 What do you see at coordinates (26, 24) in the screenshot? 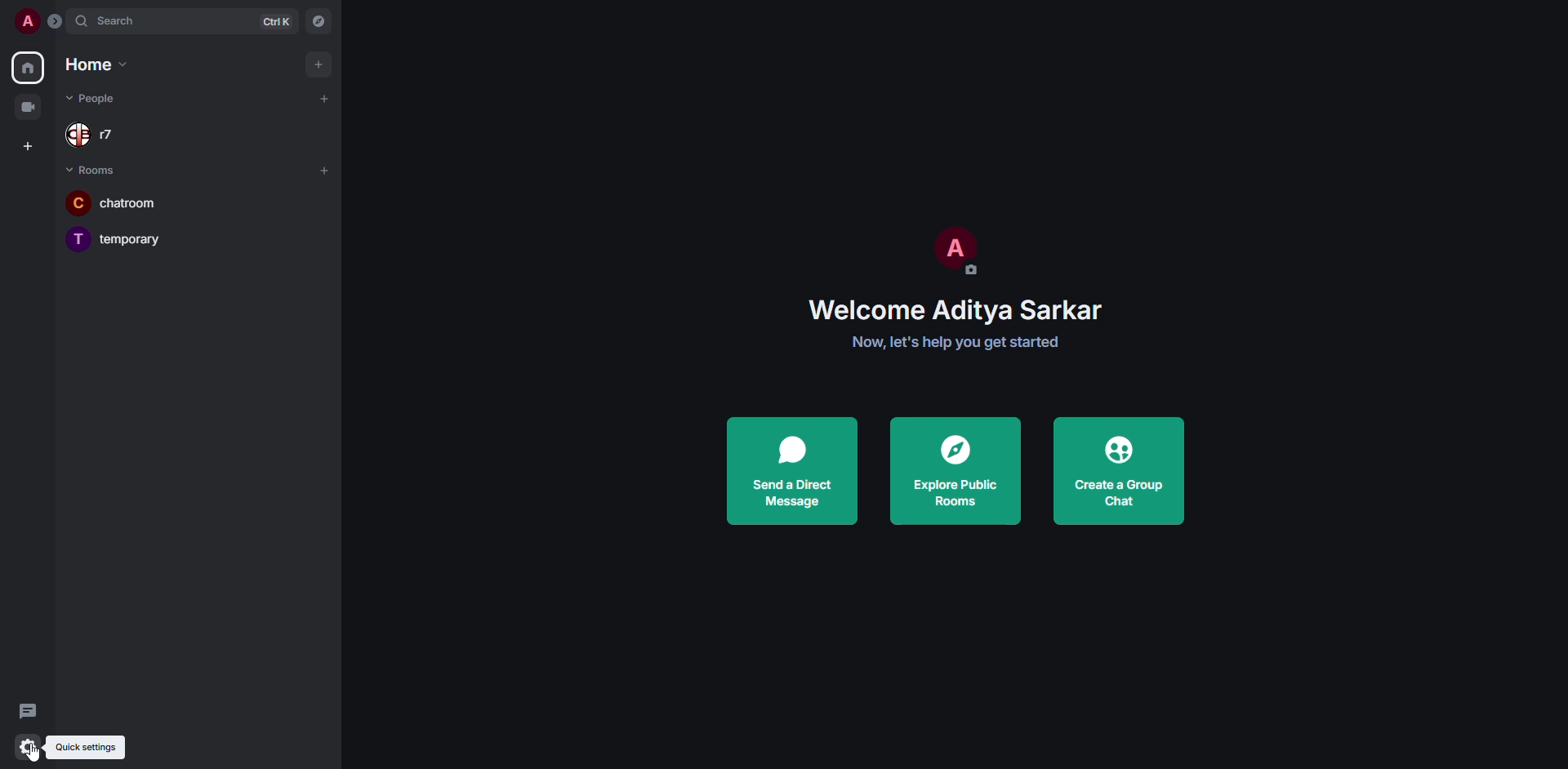
I see `profile` at bounding box center [26, 24].